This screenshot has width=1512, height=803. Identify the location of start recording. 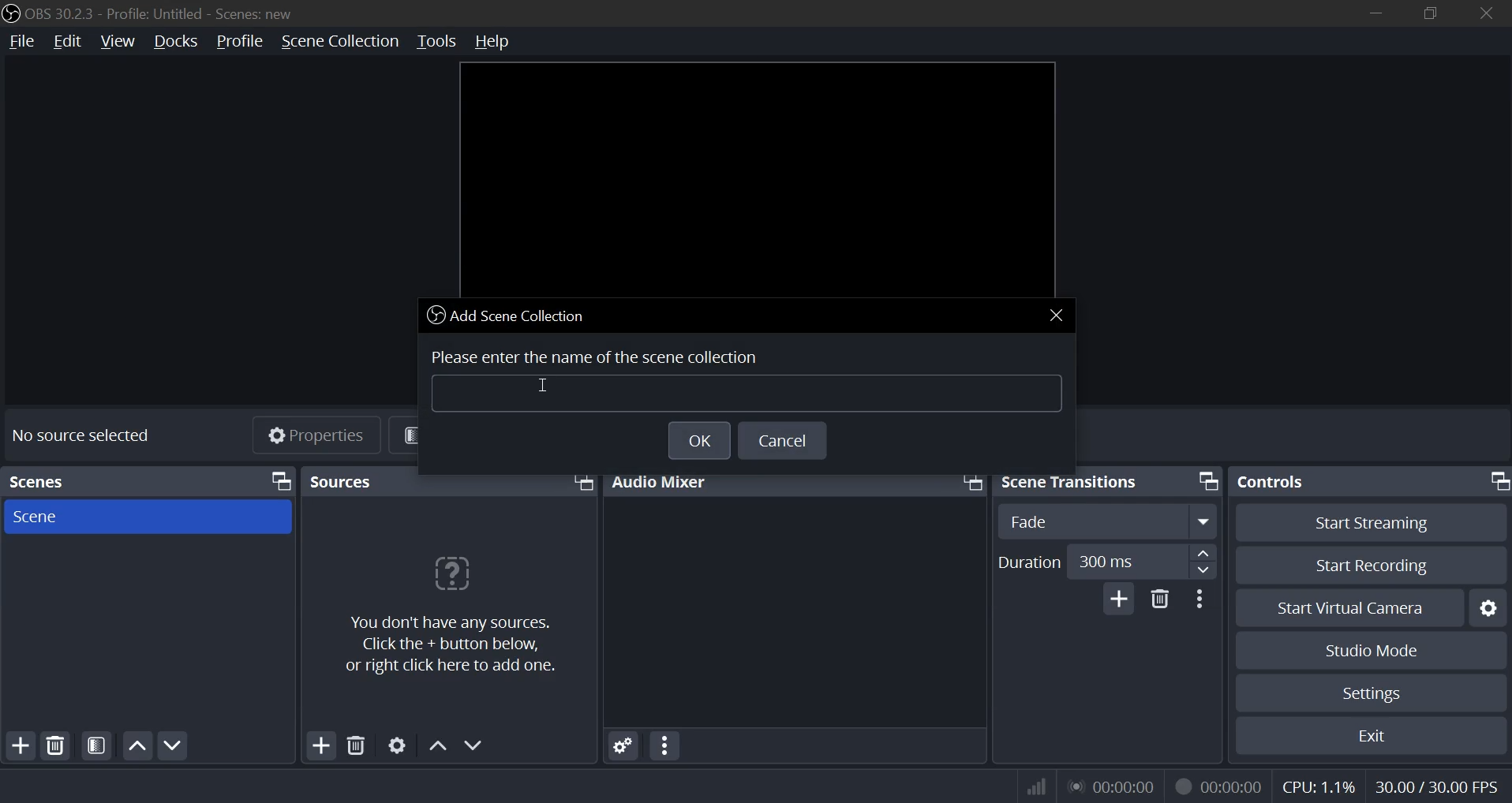
(1373, 565).